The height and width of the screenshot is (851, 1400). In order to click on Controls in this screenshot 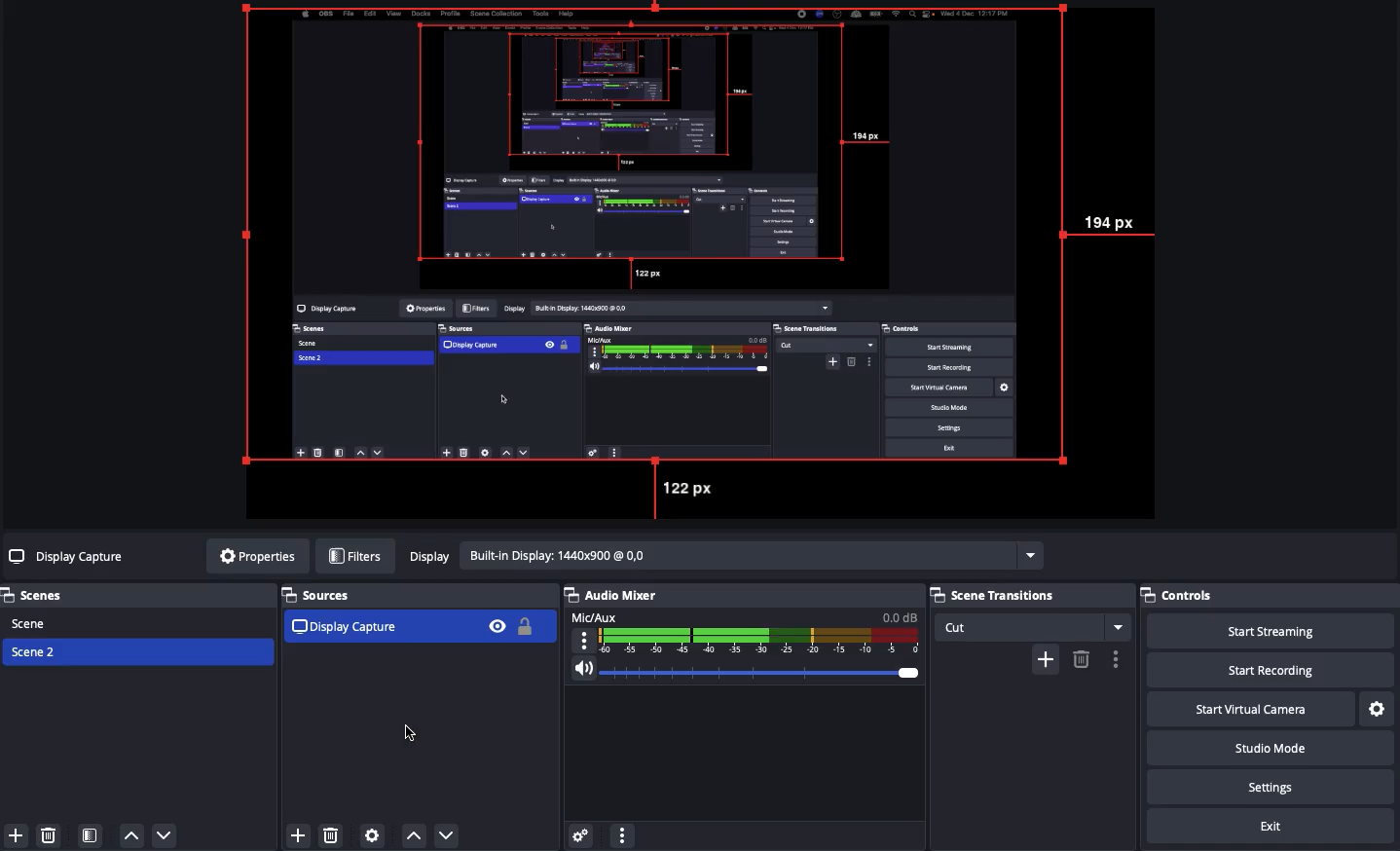, I will do `click(1179, 595)`.